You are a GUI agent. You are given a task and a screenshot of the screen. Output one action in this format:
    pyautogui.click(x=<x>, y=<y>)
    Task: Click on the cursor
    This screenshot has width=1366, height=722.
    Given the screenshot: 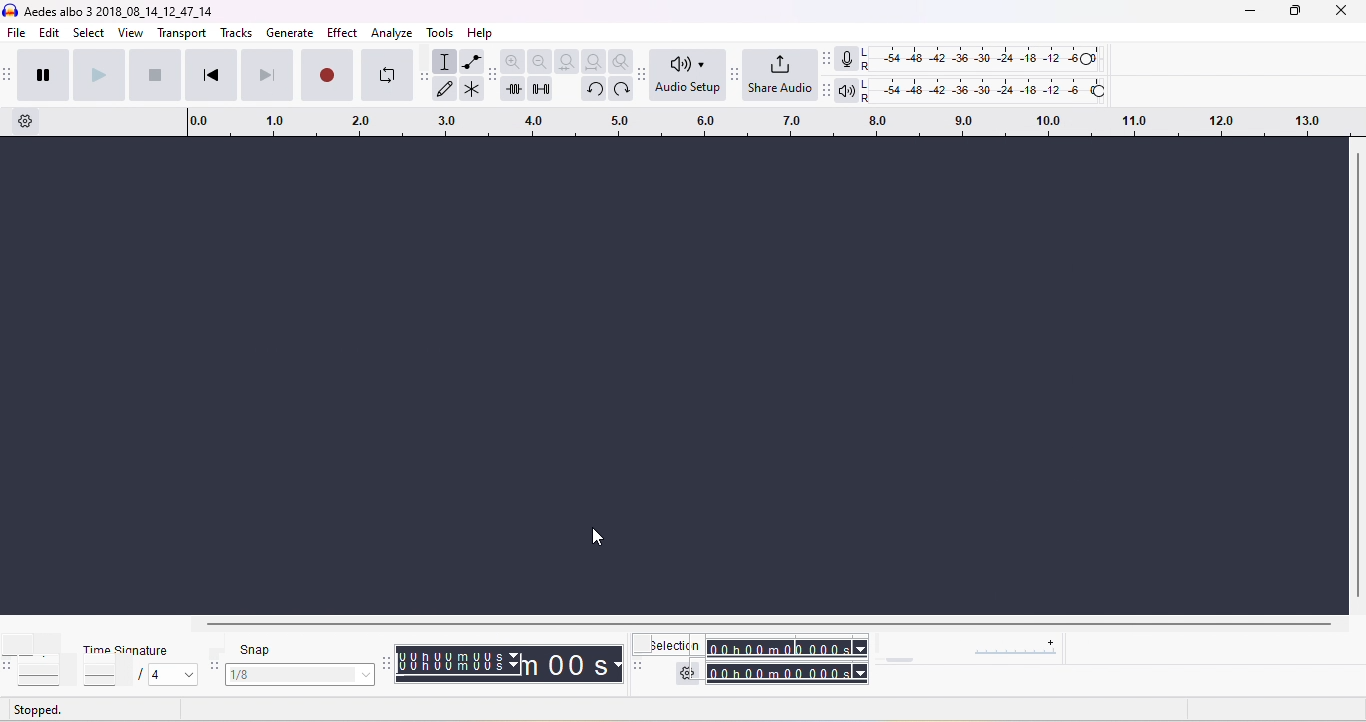 What is the action you would take?
    pyautogui.click(x=604, y=537)
    